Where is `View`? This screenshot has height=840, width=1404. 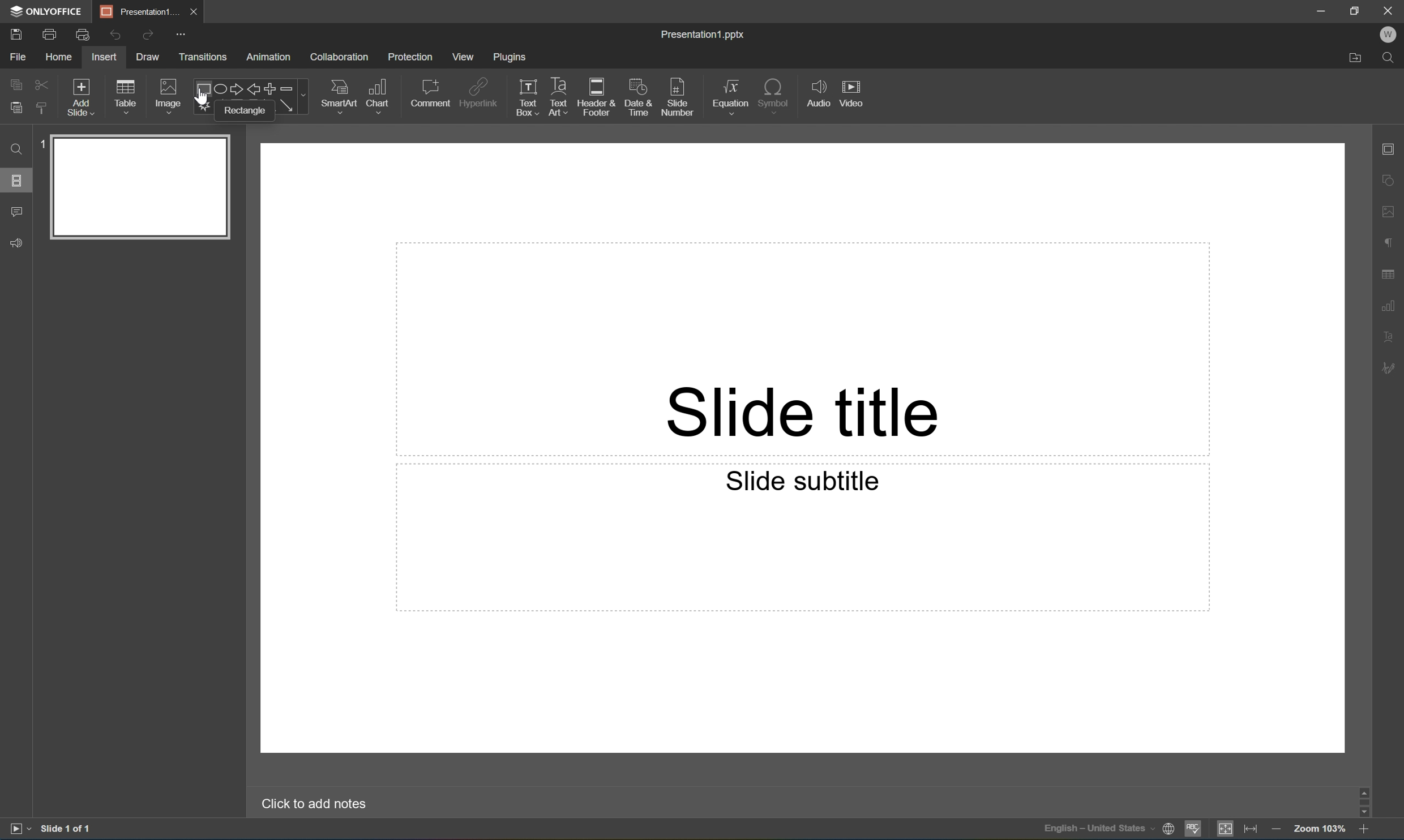 View is located at coordinates (464, 57).